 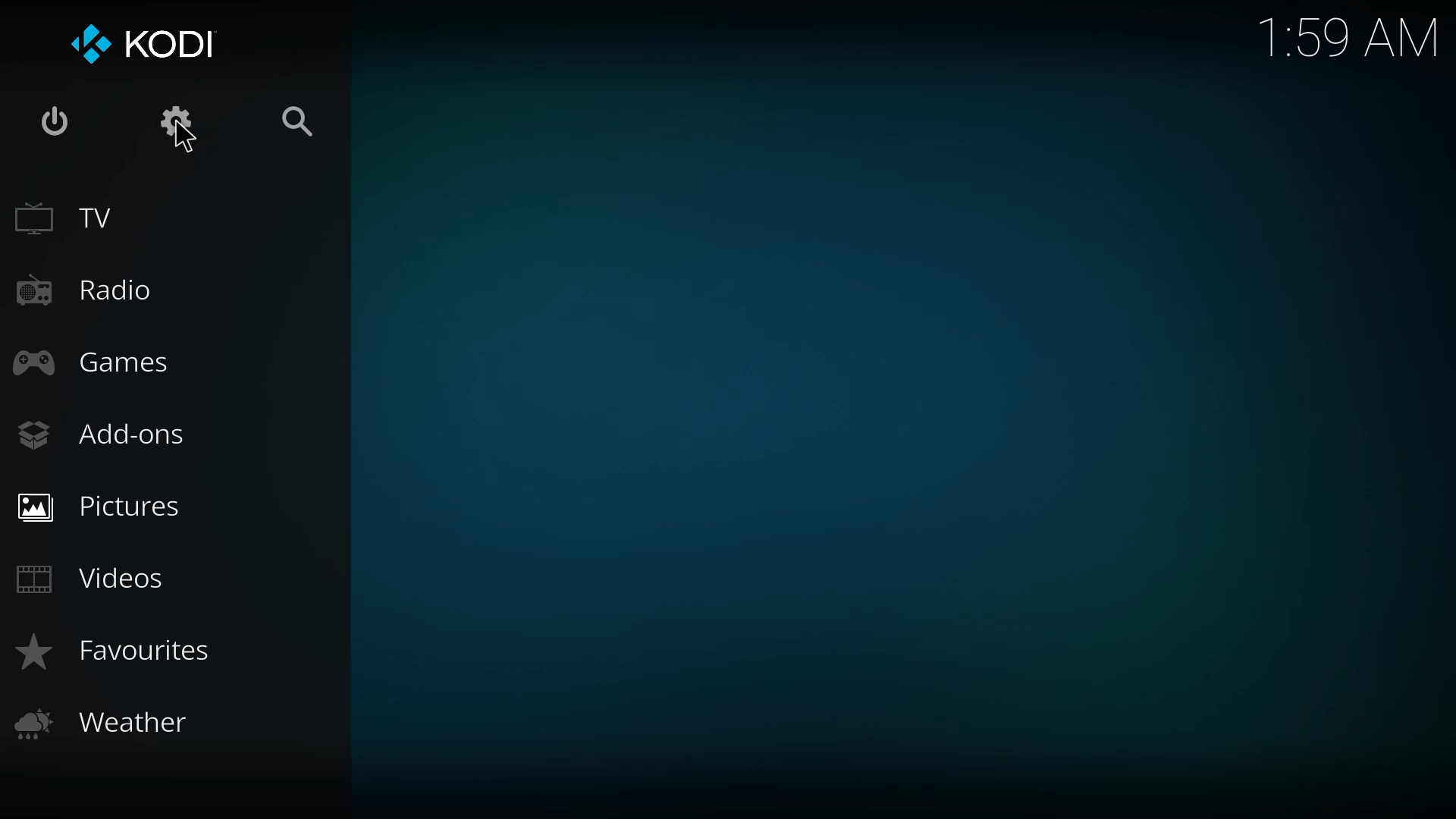 I want to click on radio, so click(x=89, y=286).